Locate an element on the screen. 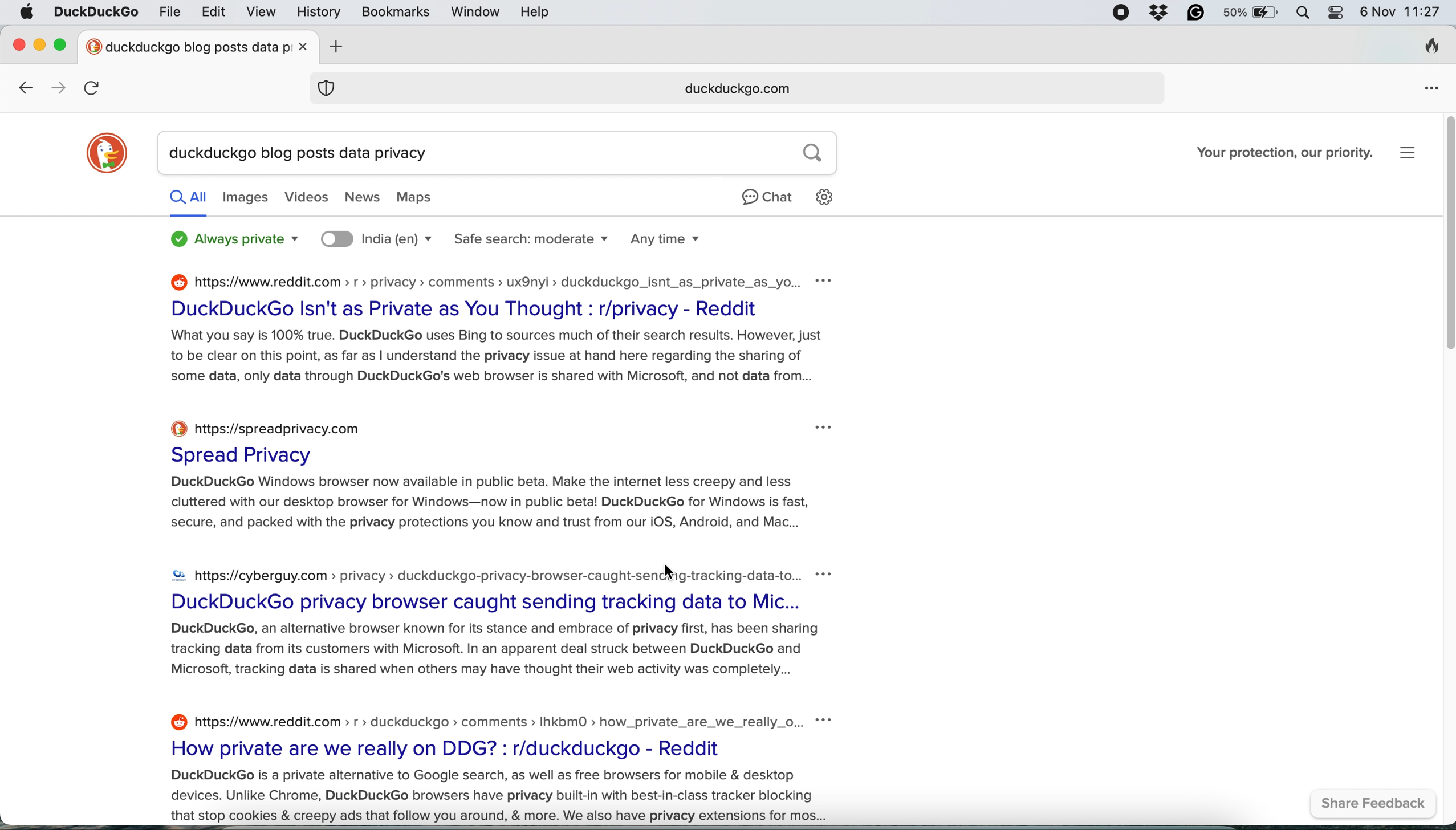 The image size is (1456, 830). more option is located at coordinates (825, 428).